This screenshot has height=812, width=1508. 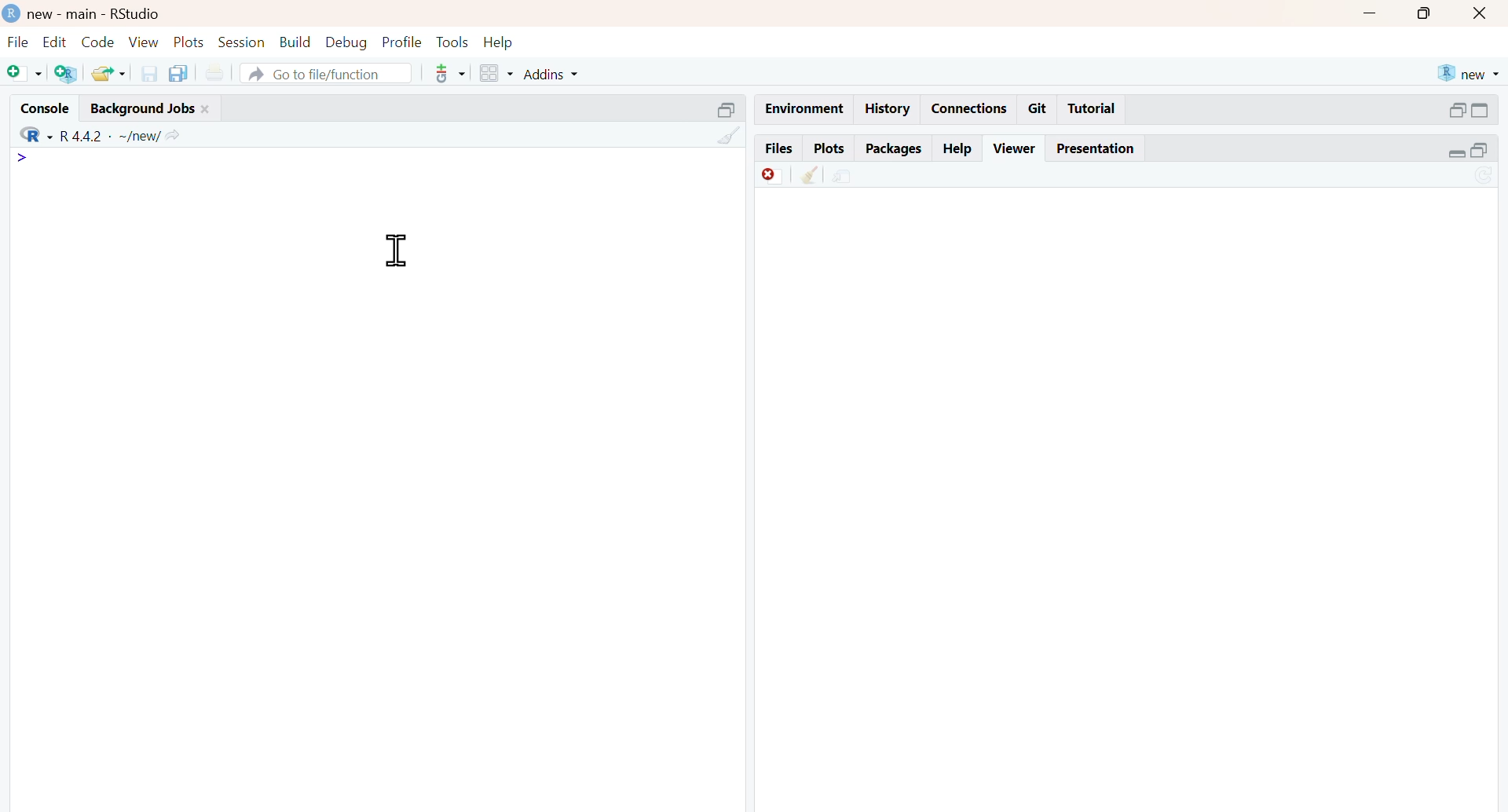 I want to click on save, so click(x=151, y=74).